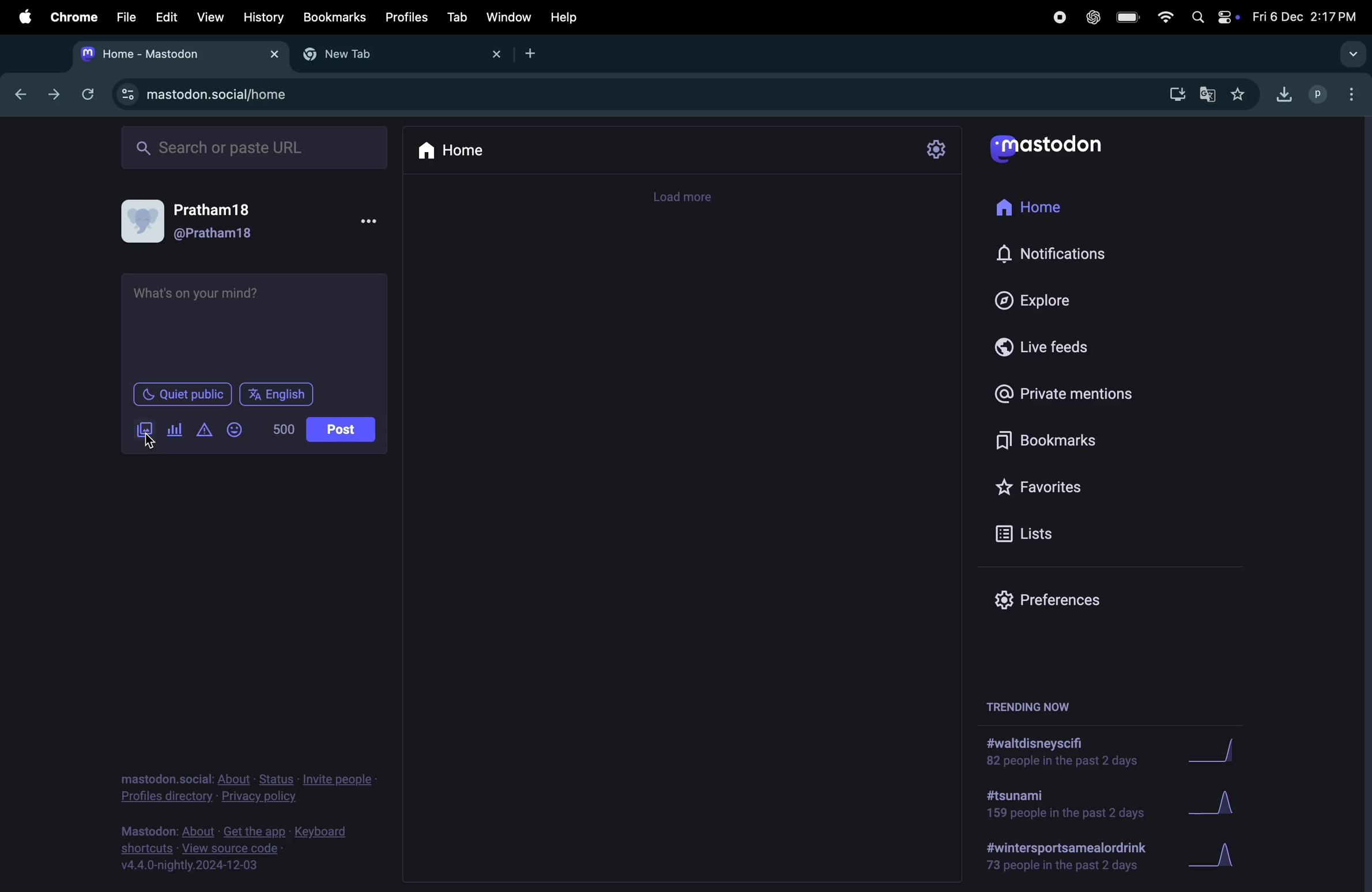 This screenshot has width=1372, height=892. What do you see at coordinates (1355, 55) in the screenshot?
I see `drop down` at bounding box center [1355, 55].